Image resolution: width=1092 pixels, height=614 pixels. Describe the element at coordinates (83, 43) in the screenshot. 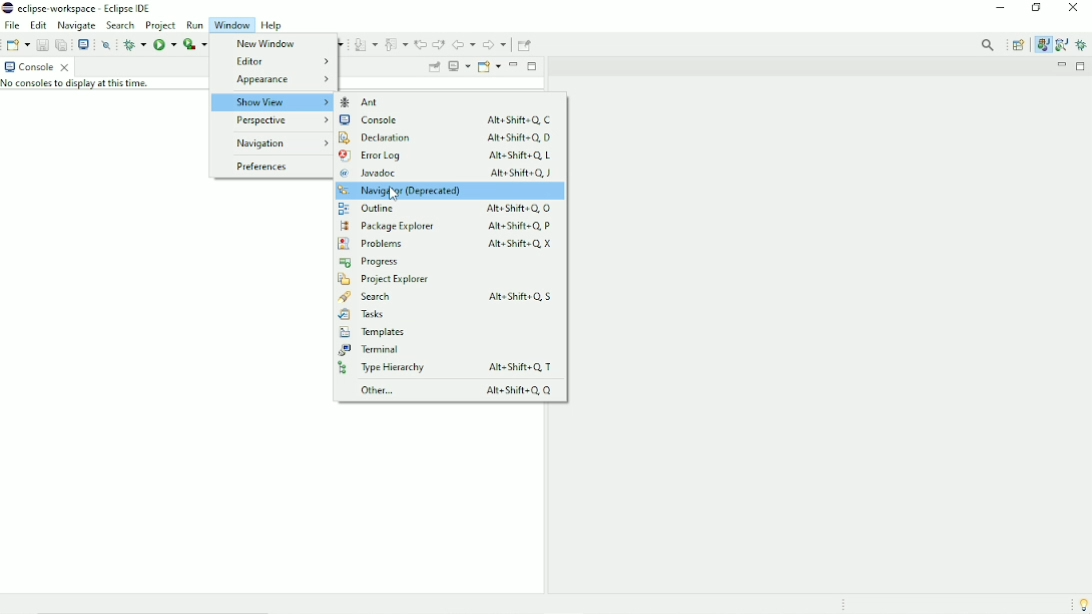

I see `Open a terminal` at that location.